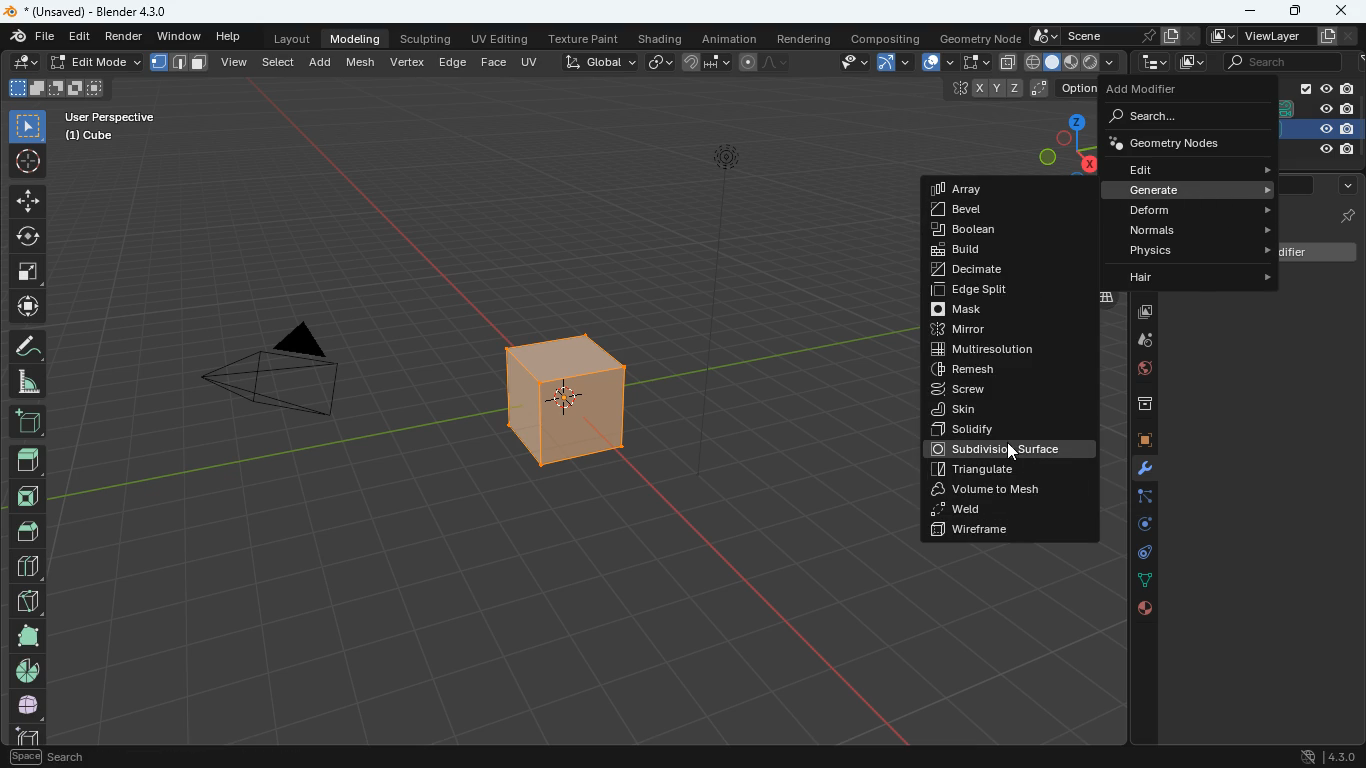 The width and height of the screenshot is (1366, 768). I want to click on modeling, so click(361, 38).